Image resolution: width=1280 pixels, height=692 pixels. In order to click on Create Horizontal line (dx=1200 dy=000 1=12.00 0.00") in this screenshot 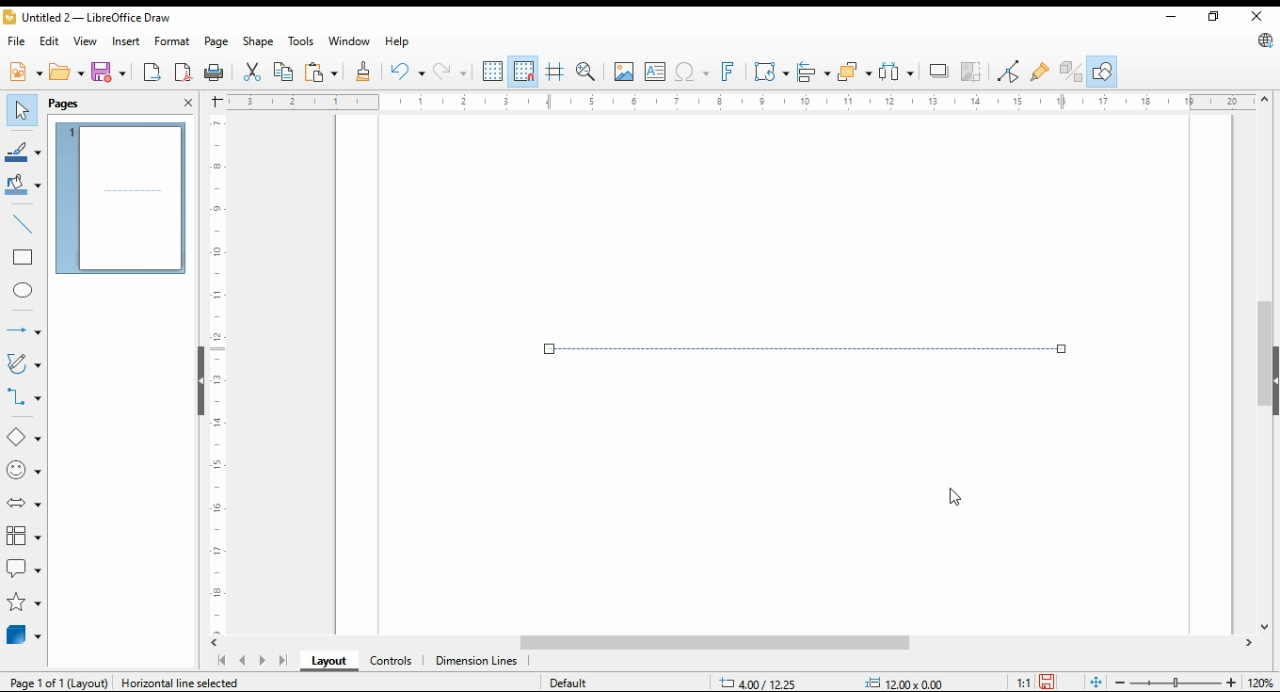, I will do `click(259, 681)`.